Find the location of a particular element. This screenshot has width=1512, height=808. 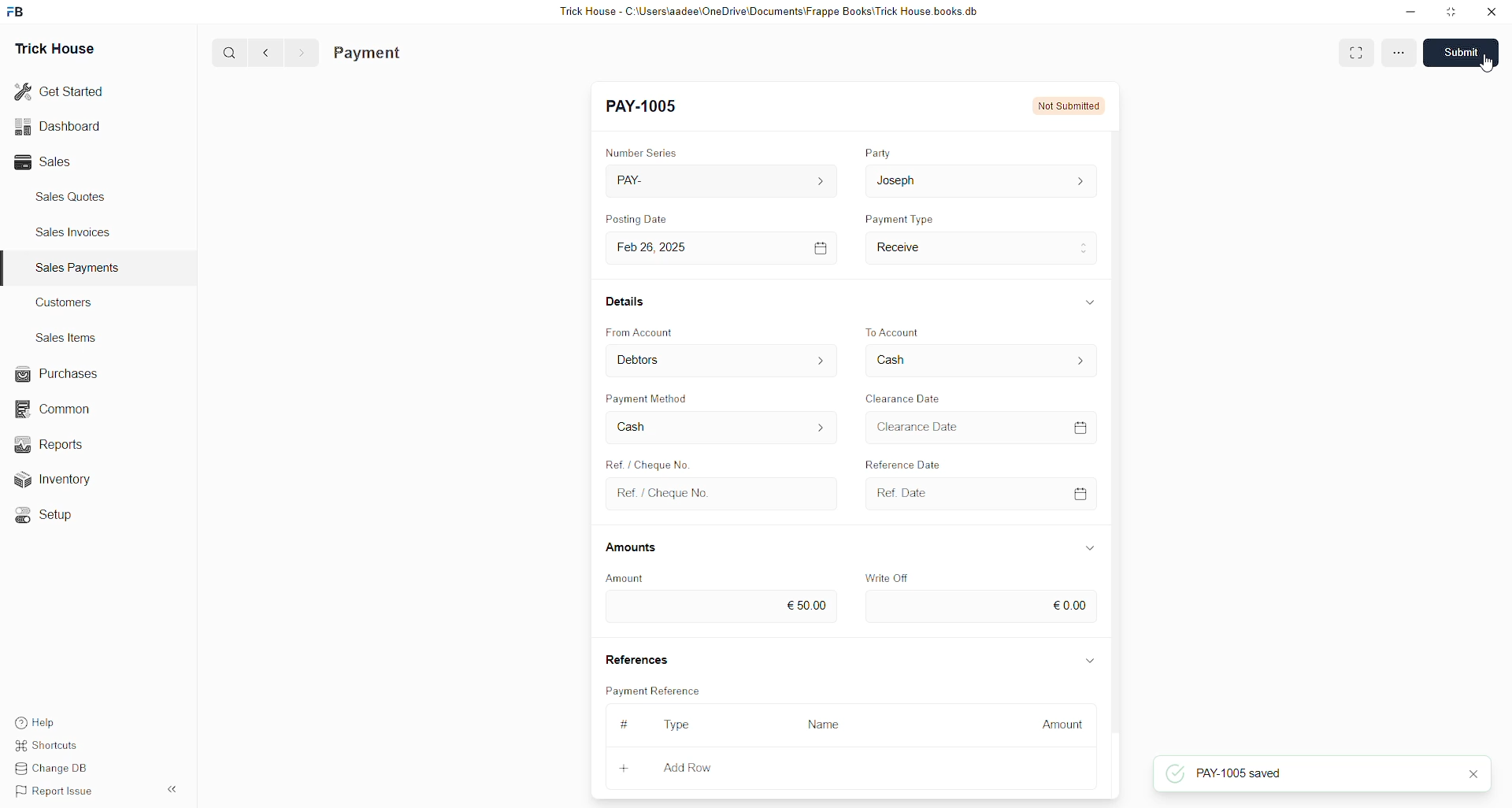

Payment is located at coordinates (368, 54).